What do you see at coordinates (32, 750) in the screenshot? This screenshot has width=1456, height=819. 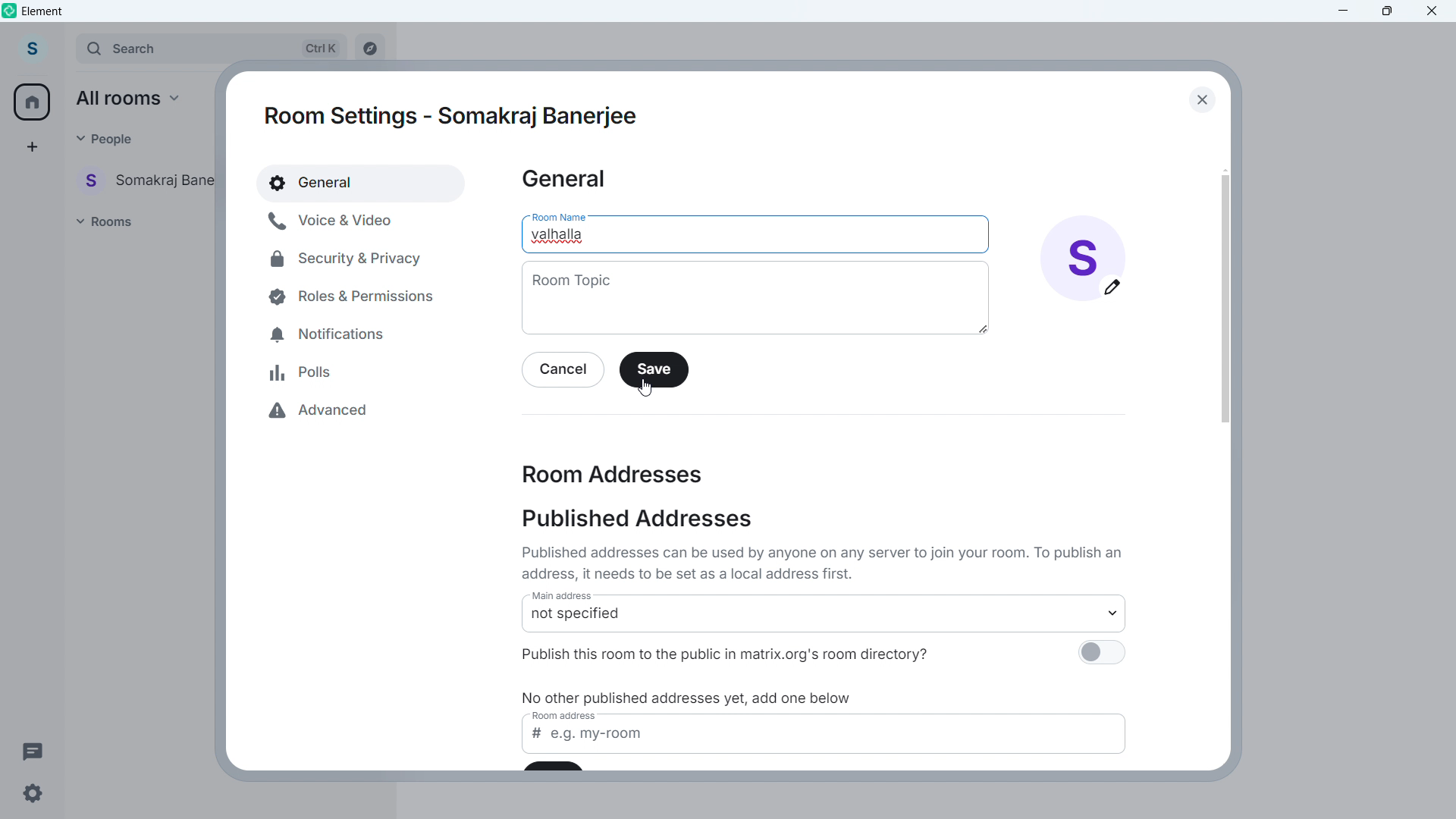 I see `Threads ` at bounding box center [32, 750].